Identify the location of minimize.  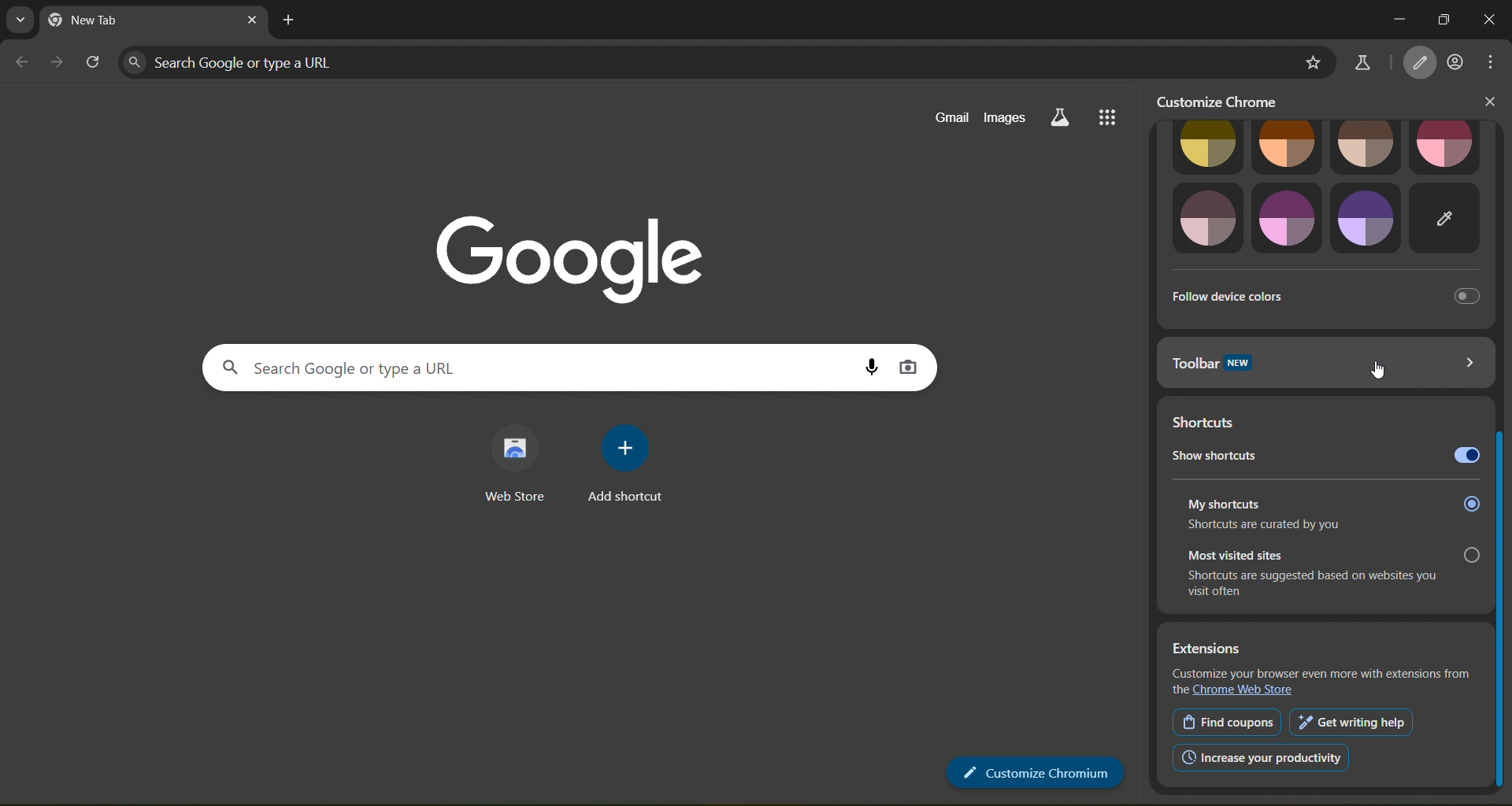
(1392, 18).